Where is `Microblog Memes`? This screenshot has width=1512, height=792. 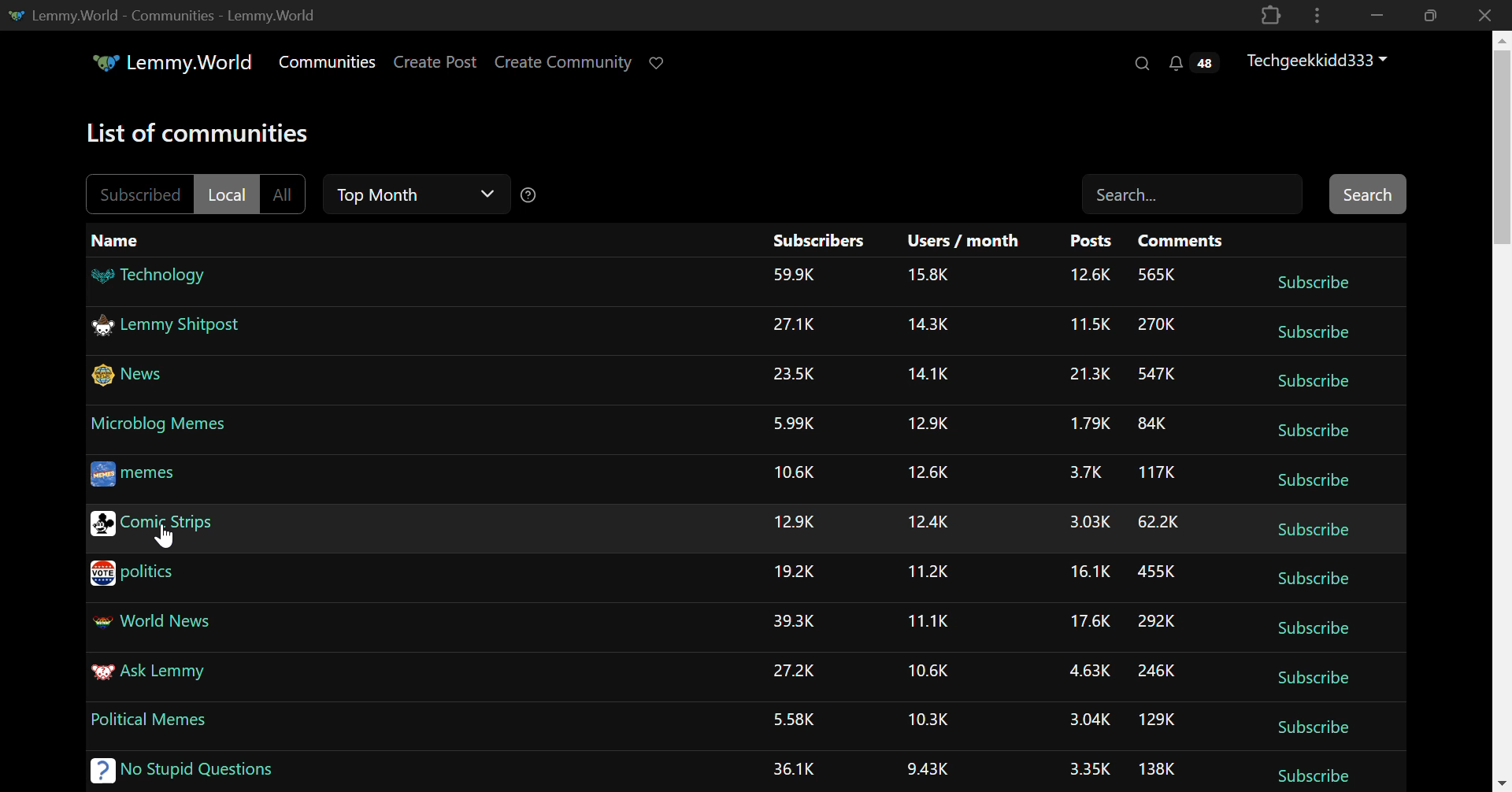
Microblog Memes is located at coordinates (160, 428).